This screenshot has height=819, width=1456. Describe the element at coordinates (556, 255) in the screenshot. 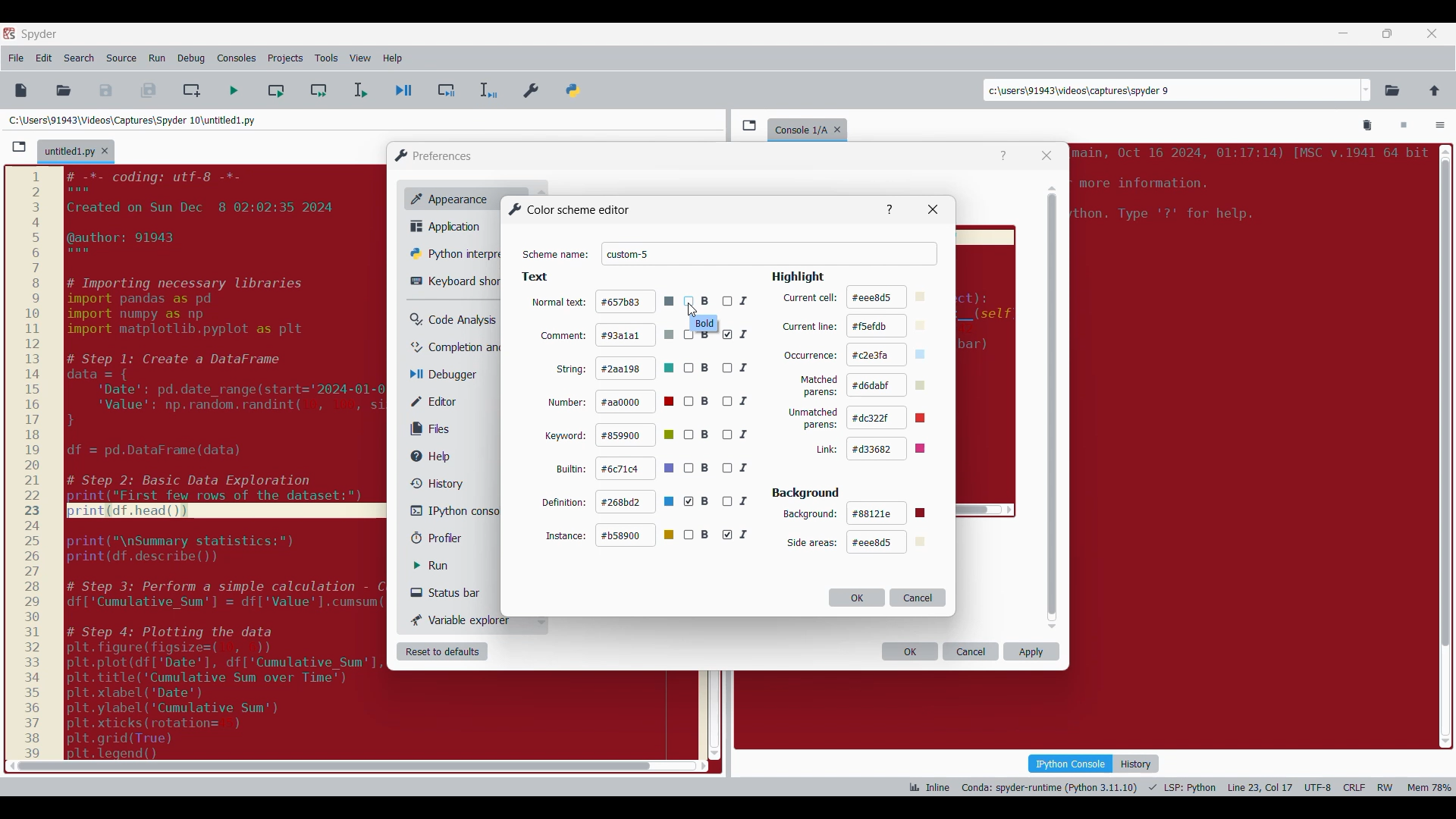

I see `Indicates text box for scheme name` at that location.